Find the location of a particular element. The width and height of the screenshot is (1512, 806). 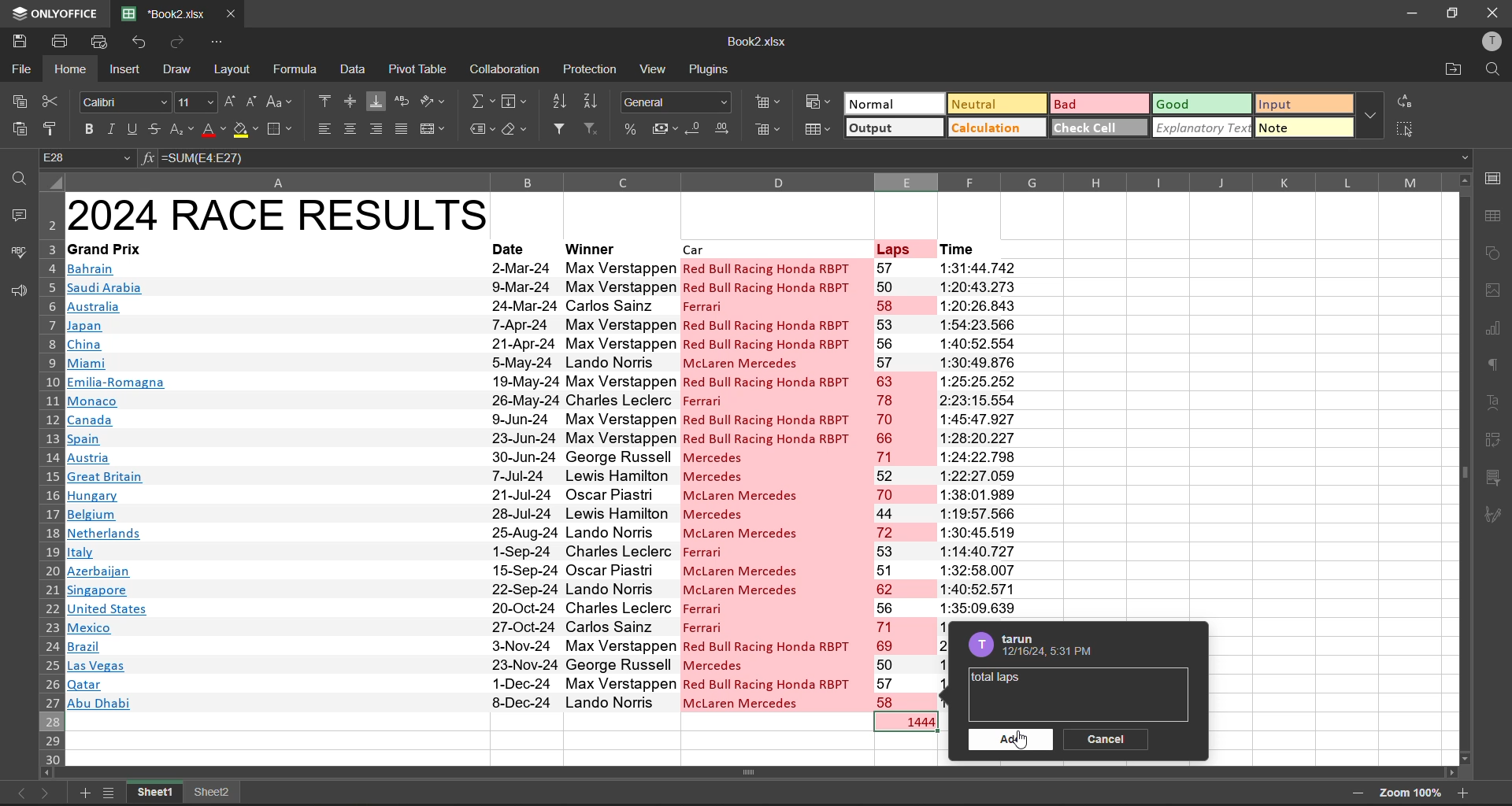

car is located at coordinates (699, 248).